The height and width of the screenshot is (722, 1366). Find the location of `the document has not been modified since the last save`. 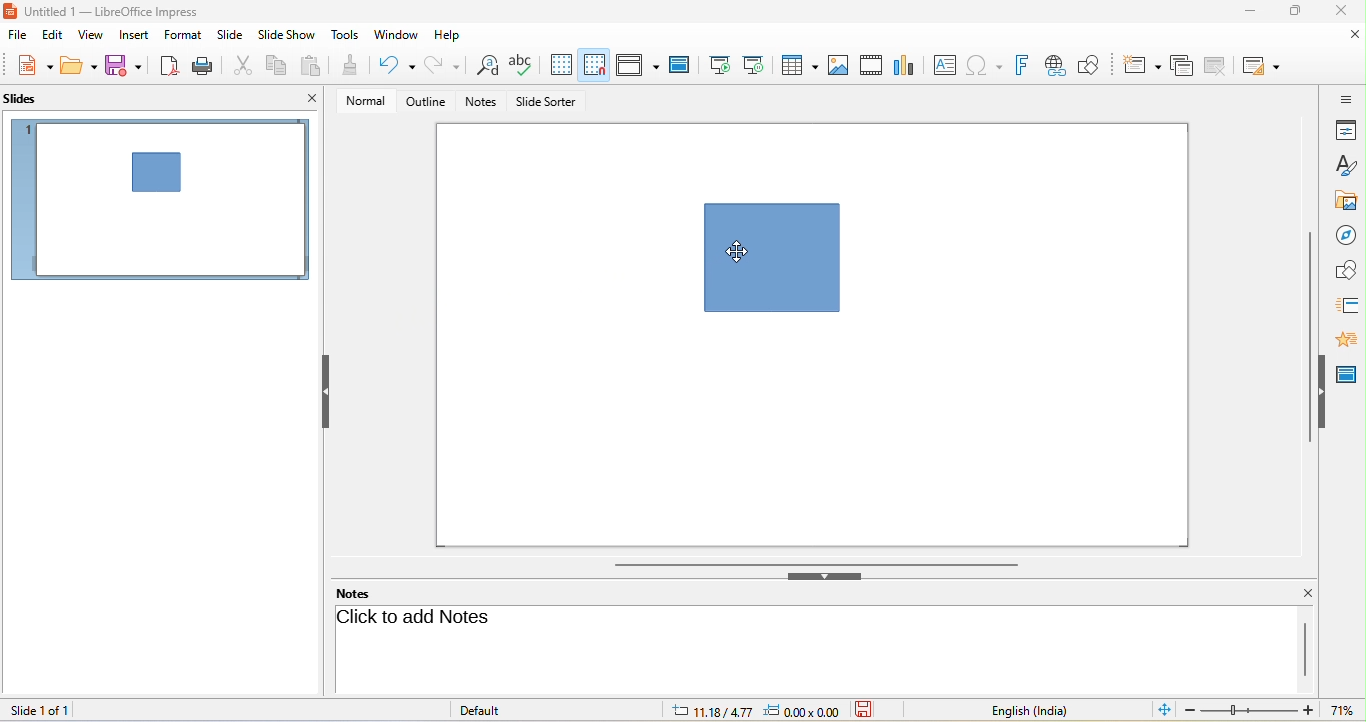

the document has not been modified since the last save is located at coordinates (873, 710).